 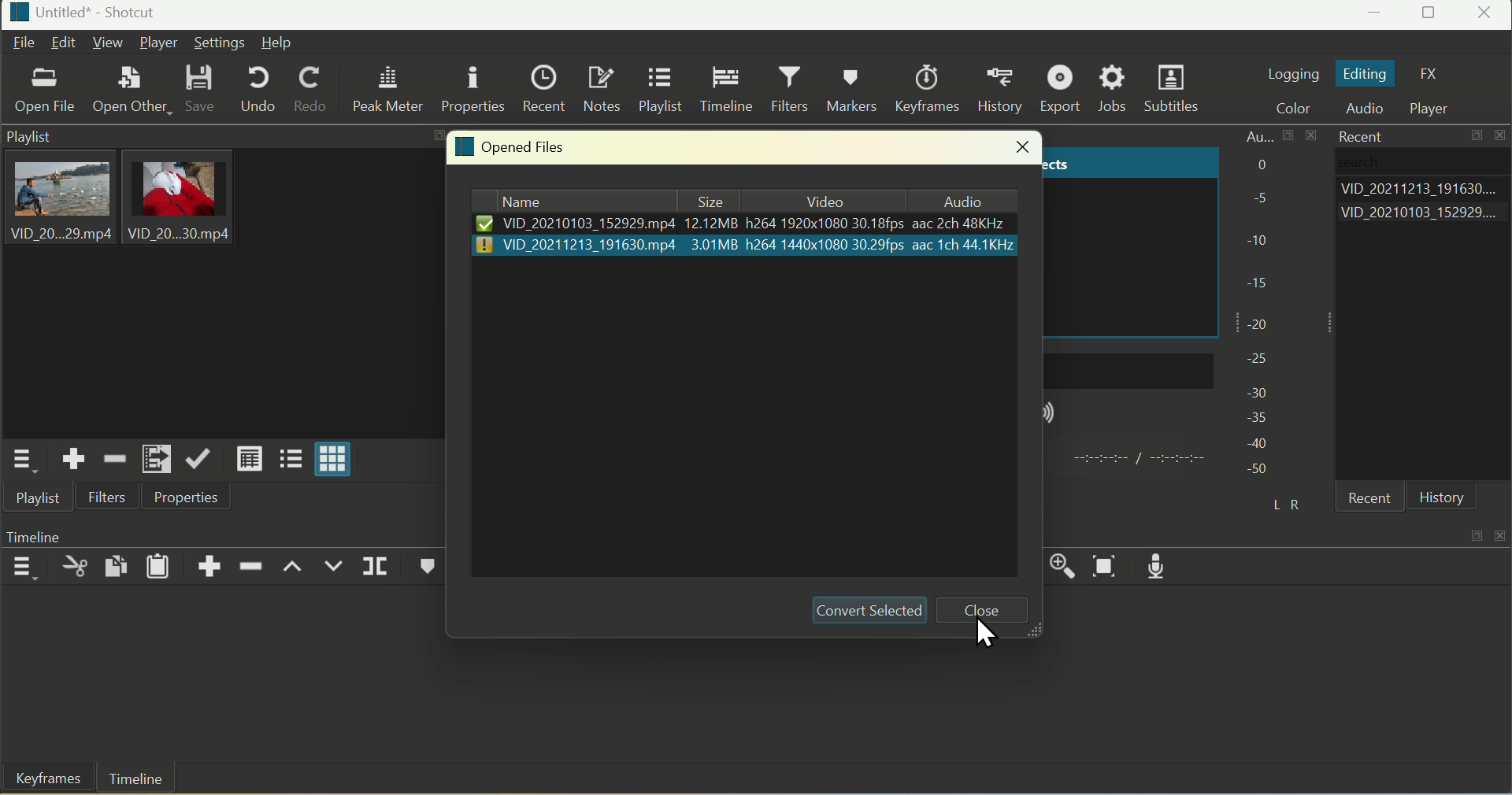 What do you see at coordinates (335, 461) in the screenshot?
I see `View as icon` at bounding box center [335, 461].